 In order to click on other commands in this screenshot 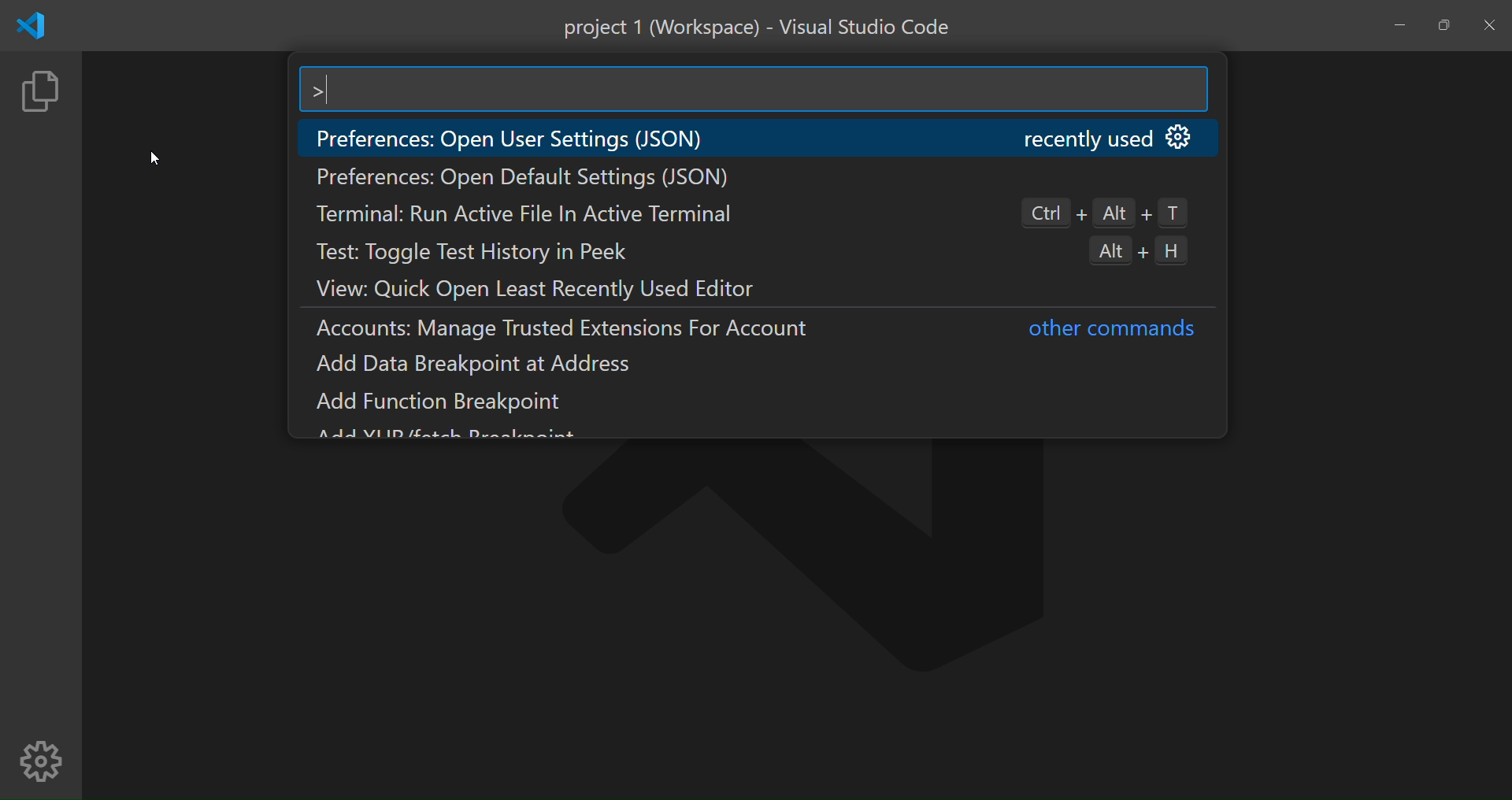, I will do `click(1109, 331)`.